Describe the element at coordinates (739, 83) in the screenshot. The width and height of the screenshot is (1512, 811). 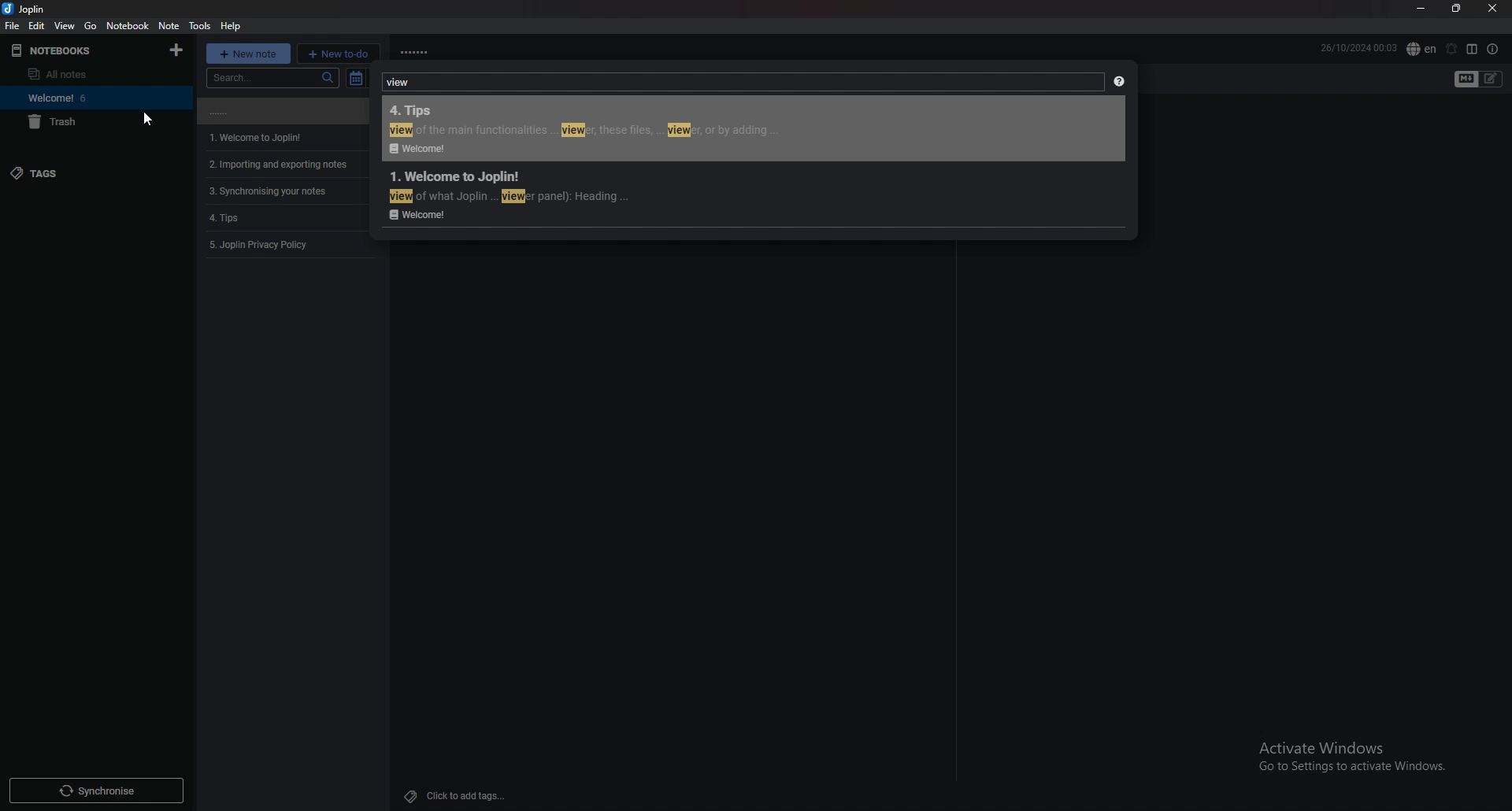
I see `search bar` at that location.